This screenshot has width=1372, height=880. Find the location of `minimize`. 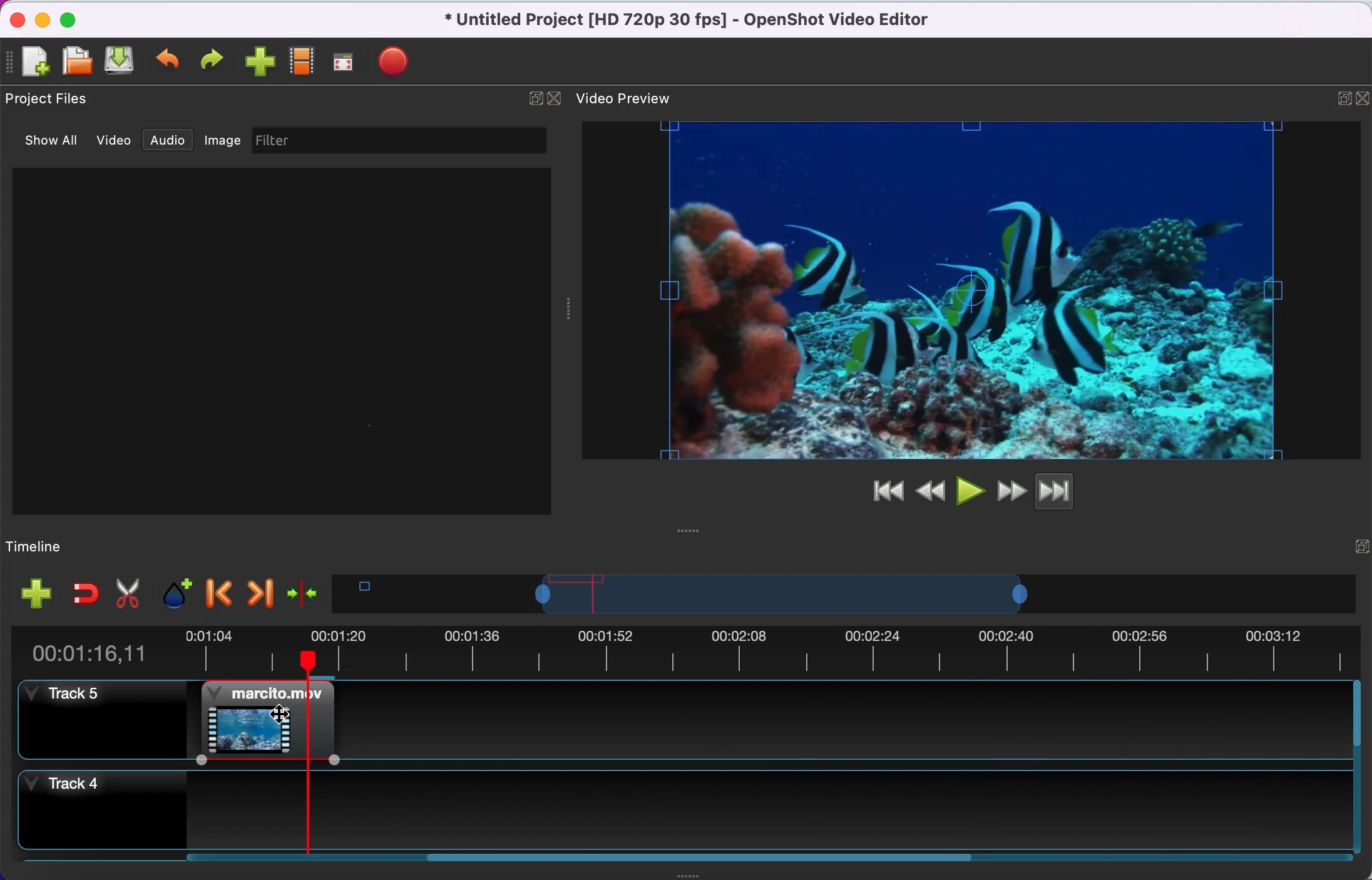

minimize is located at coordinates (42, 19).